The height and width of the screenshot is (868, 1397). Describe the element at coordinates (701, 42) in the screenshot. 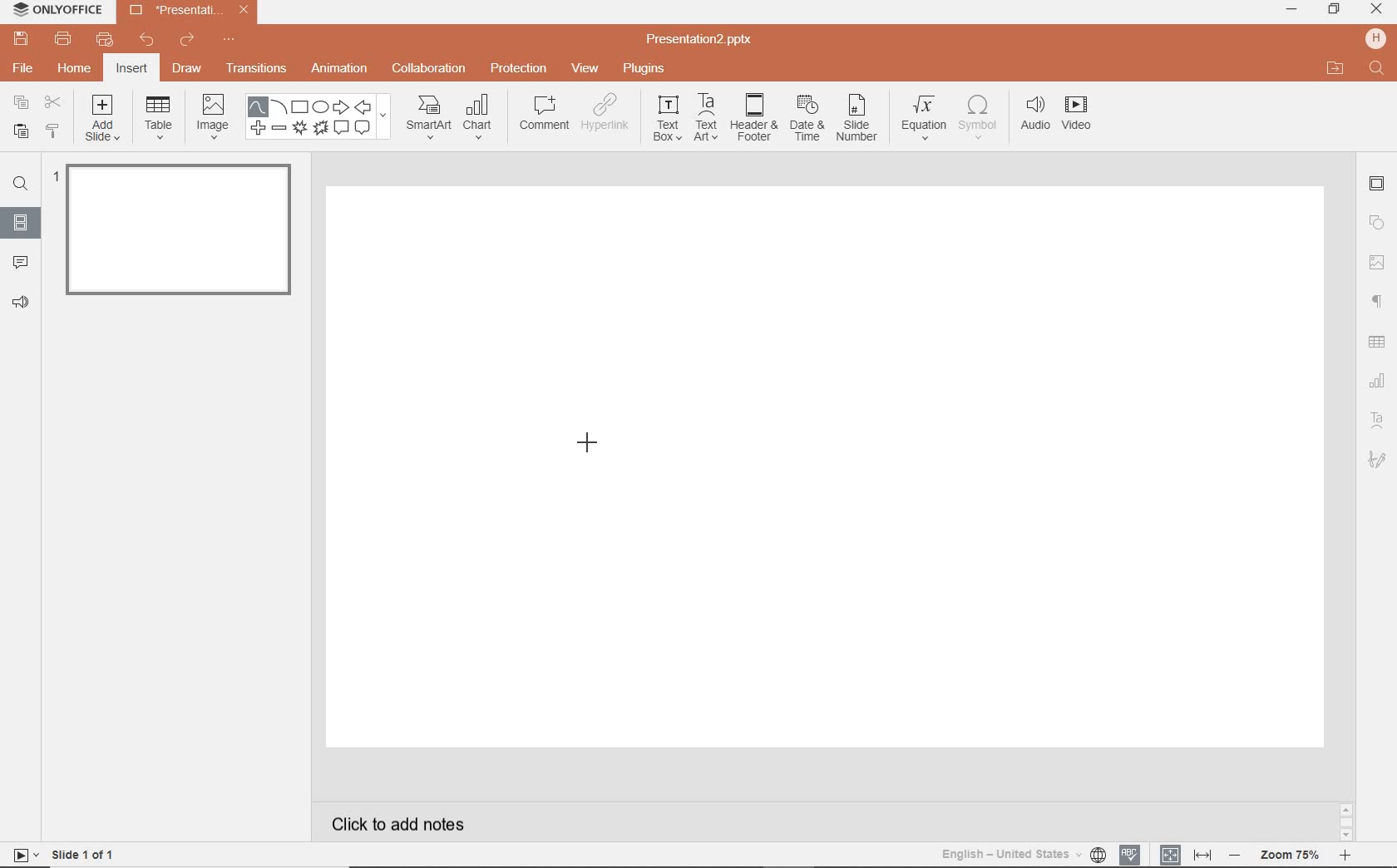

I see `Presentation2.pptx` at that location.